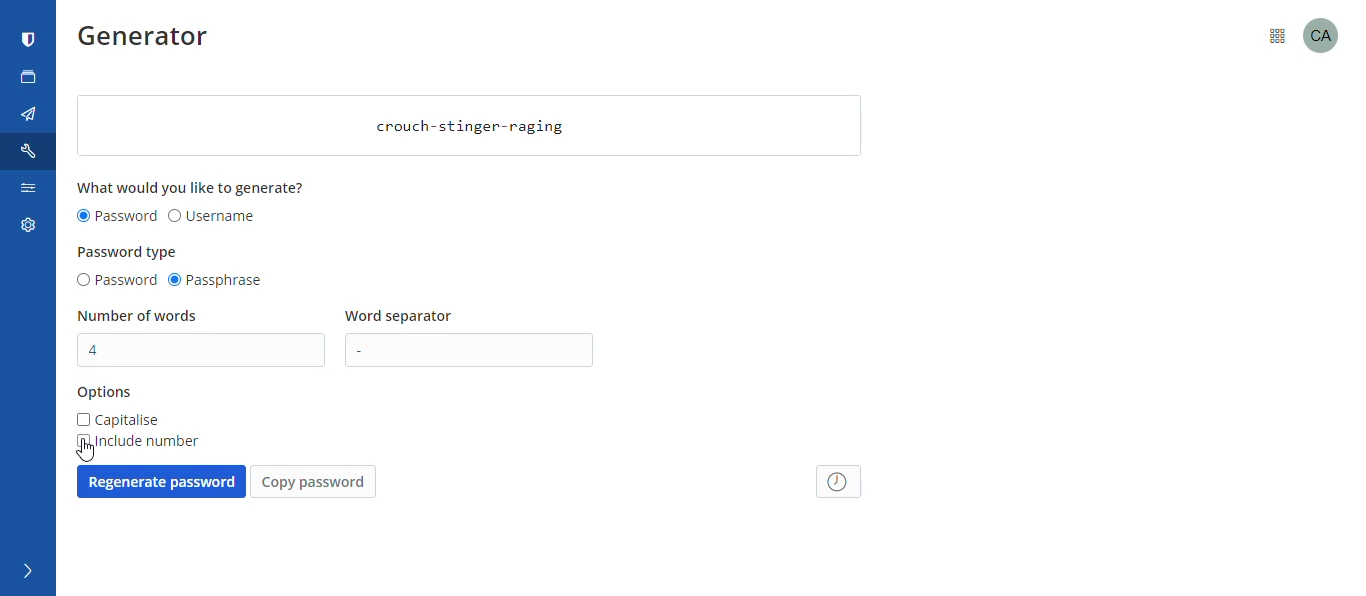 The height and width of the screenshot is (596, 1366). I want to click on generator, so click(150, 40).